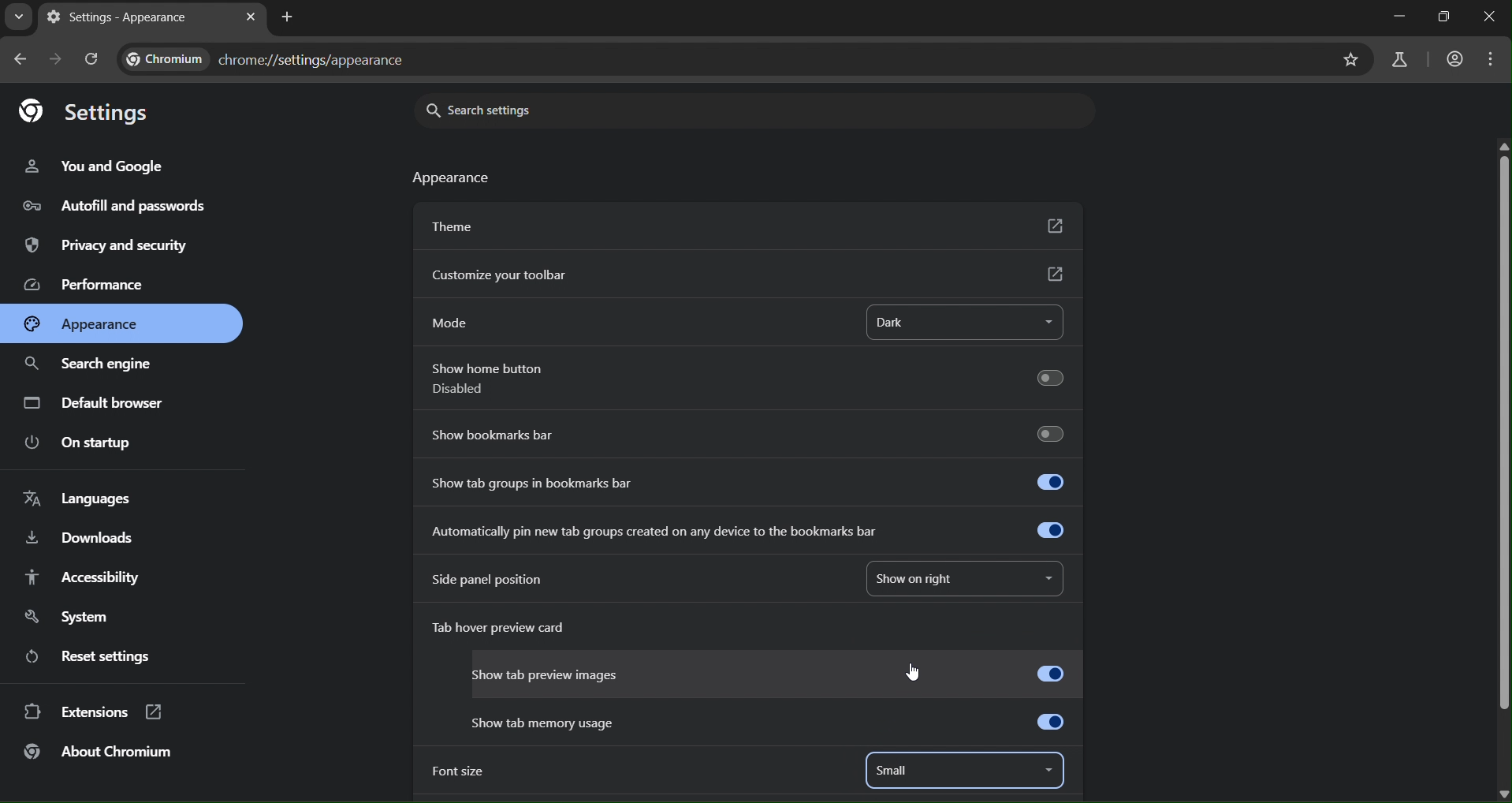 The height and width of the screenshot is (803, 1512). What do you see at coordinates (88, 364) in the screenshot?
I see `search engine` at bounding box center [88, 364].